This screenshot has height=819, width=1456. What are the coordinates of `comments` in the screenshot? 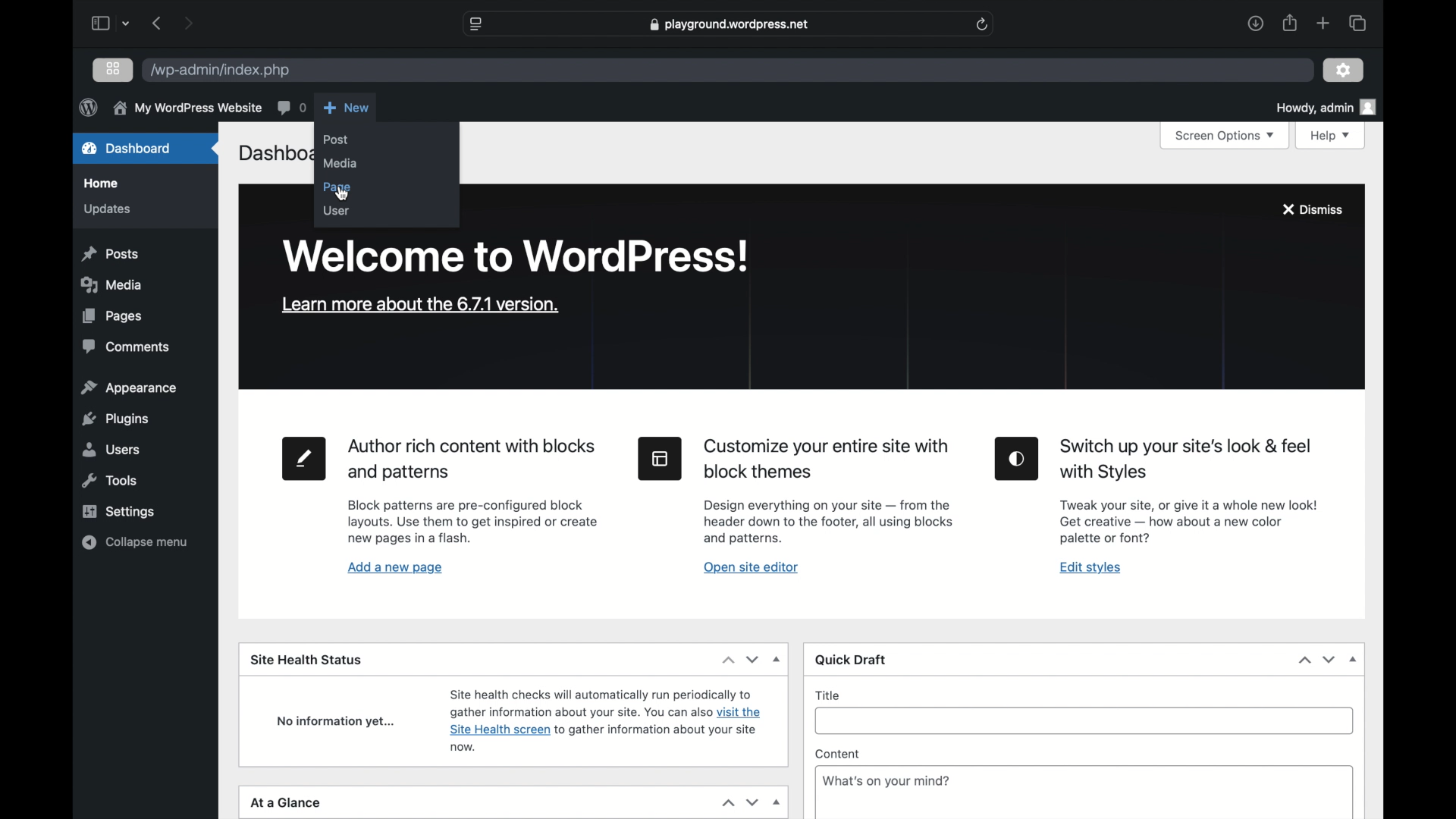 It's located at (290, 107).